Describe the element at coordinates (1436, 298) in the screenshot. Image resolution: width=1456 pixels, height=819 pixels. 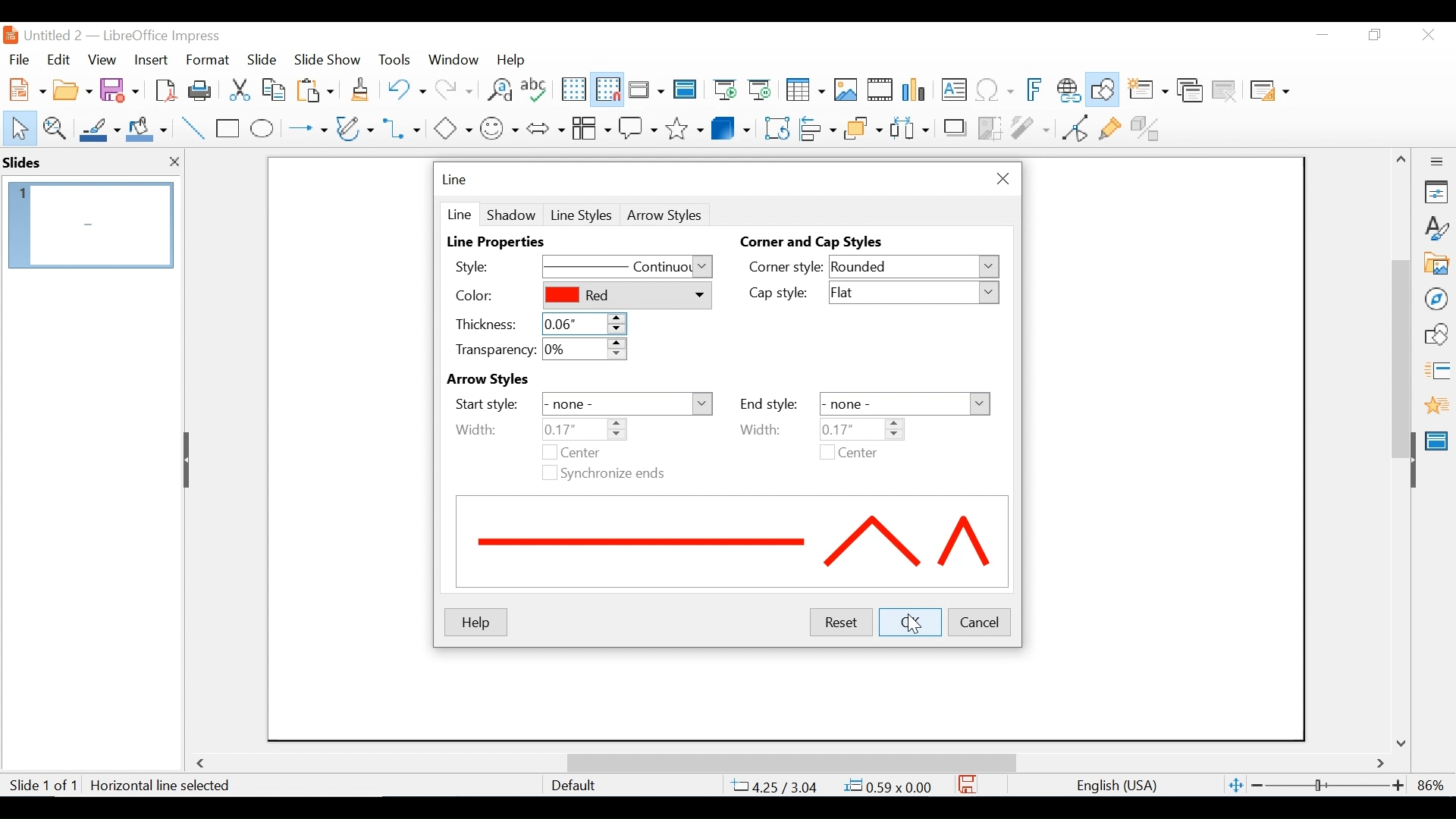
I see `Navigator` at that location.